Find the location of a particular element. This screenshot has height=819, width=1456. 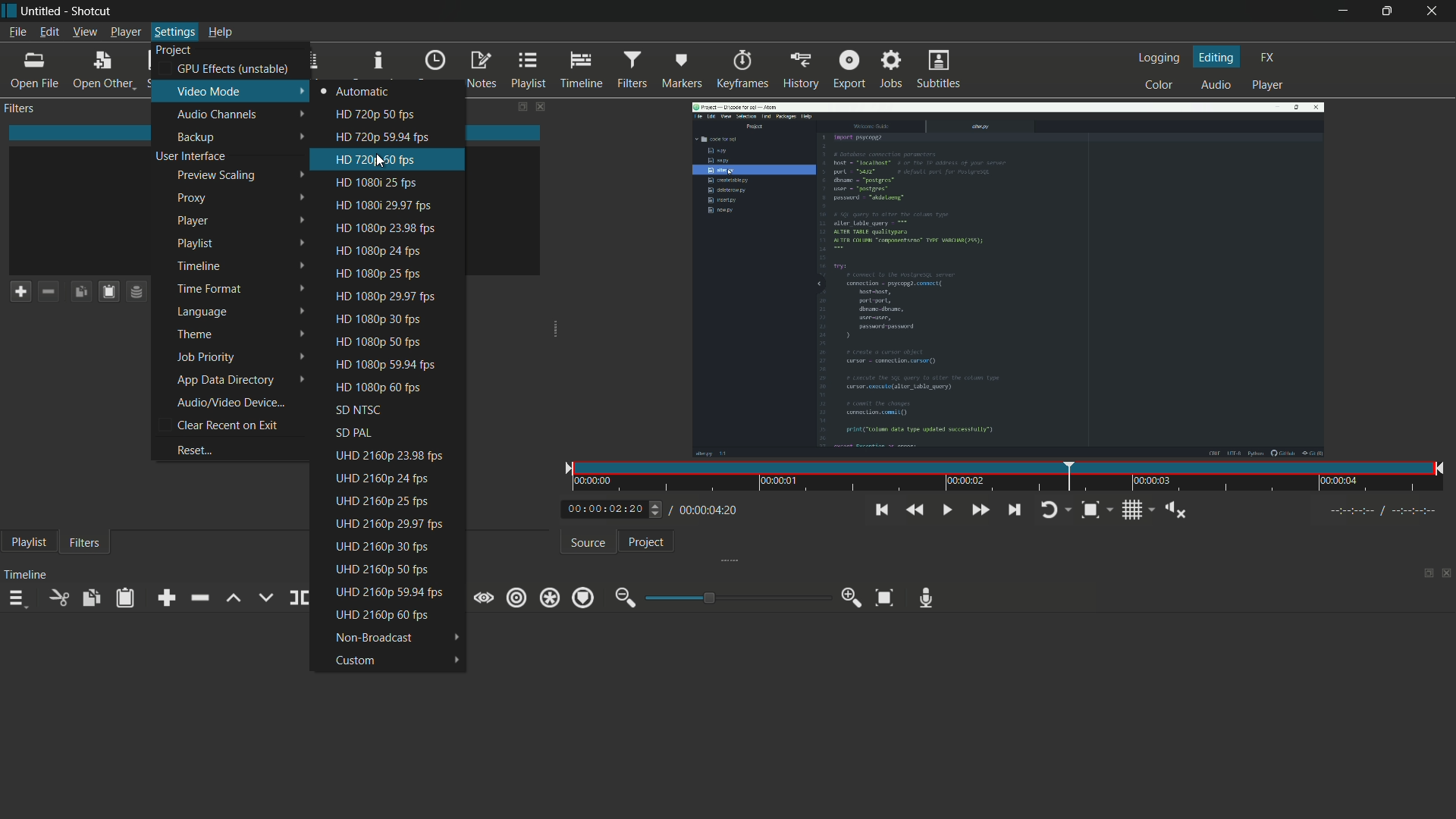

timeline is located at coordinates (242, 268).